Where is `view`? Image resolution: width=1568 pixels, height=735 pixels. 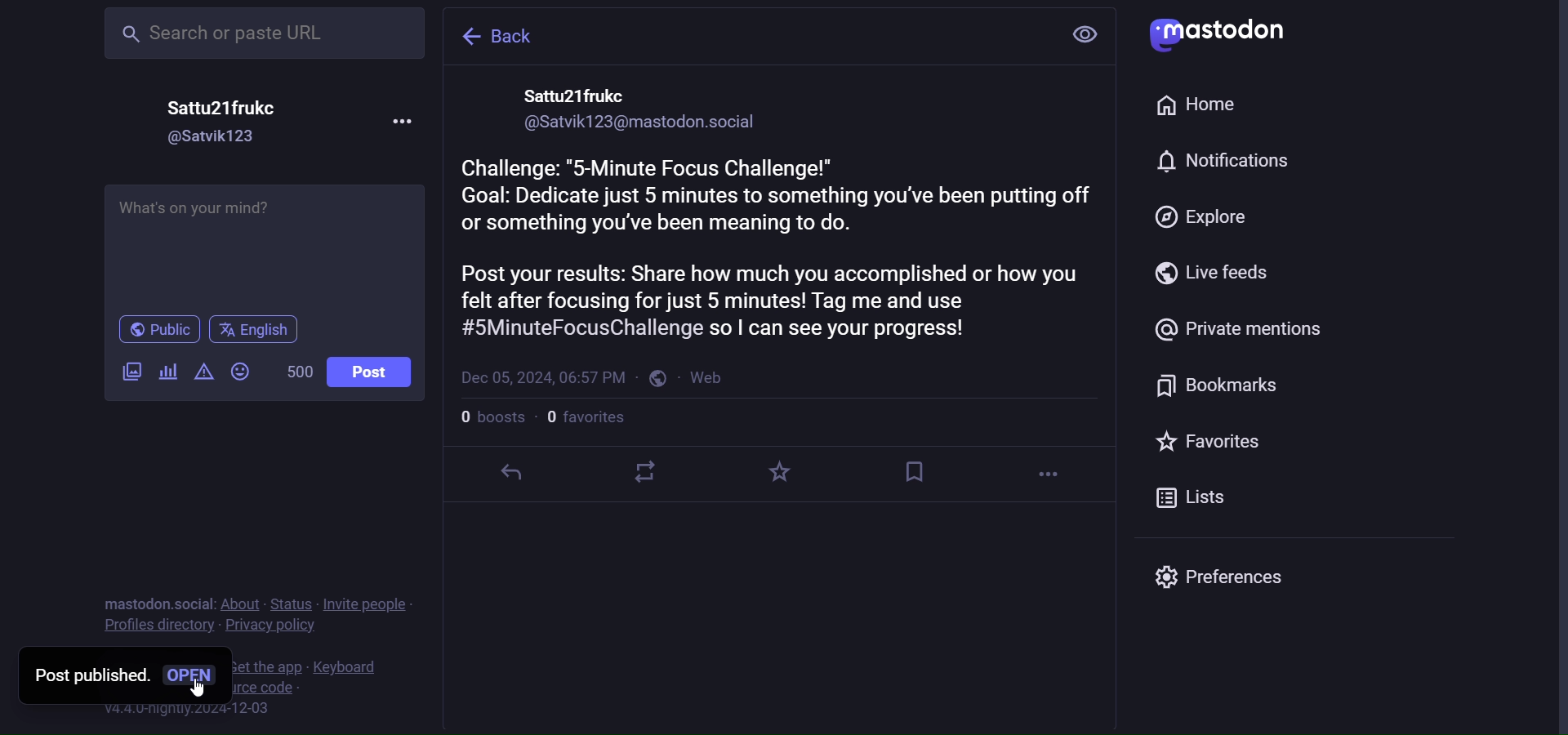
view is located at coordinates (1089, 32).